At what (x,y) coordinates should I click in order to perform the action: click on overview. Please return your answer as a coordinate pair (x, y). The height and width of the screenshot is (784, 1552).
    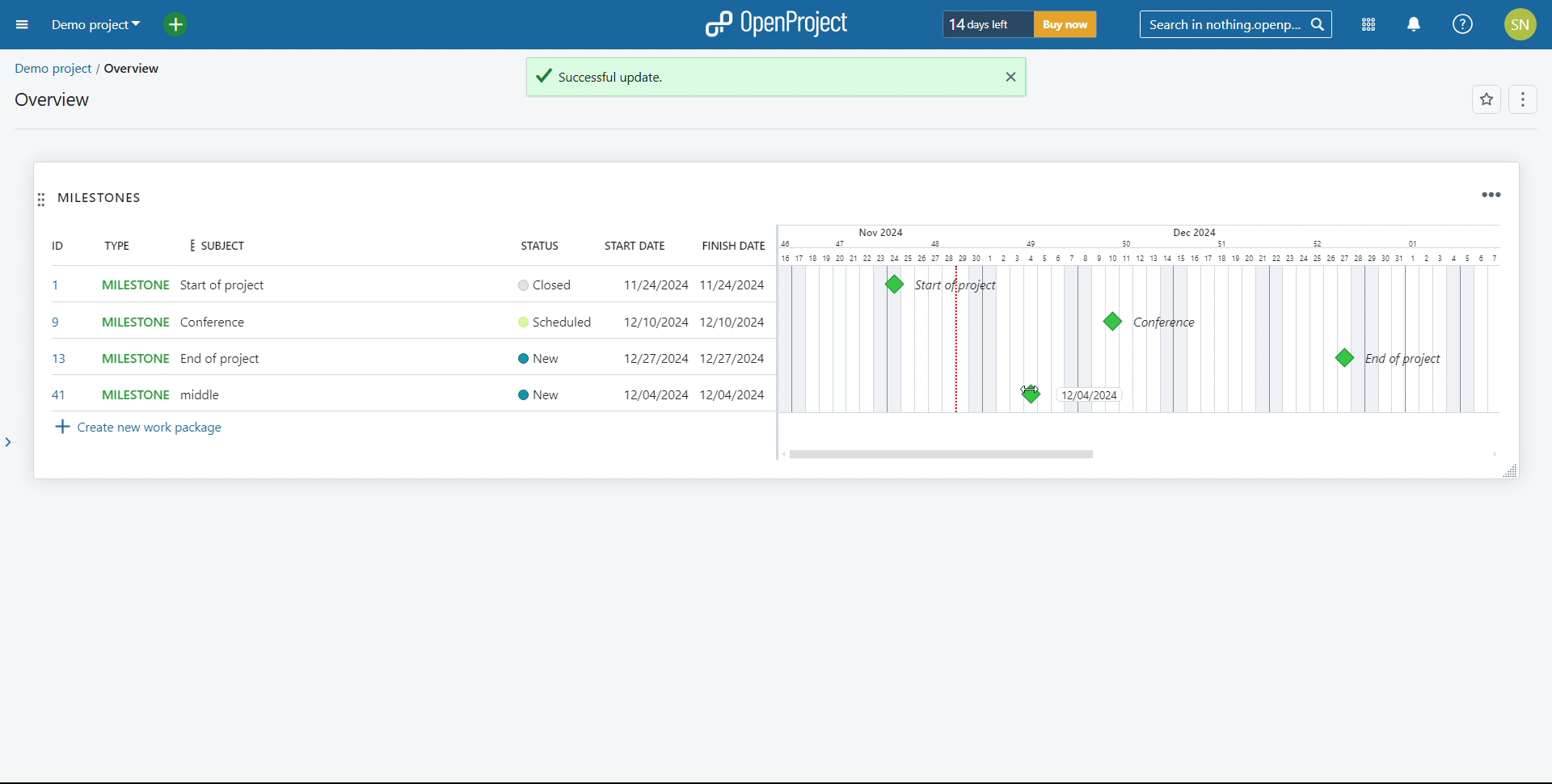
    Looking at the image, I should click on (53, 99).